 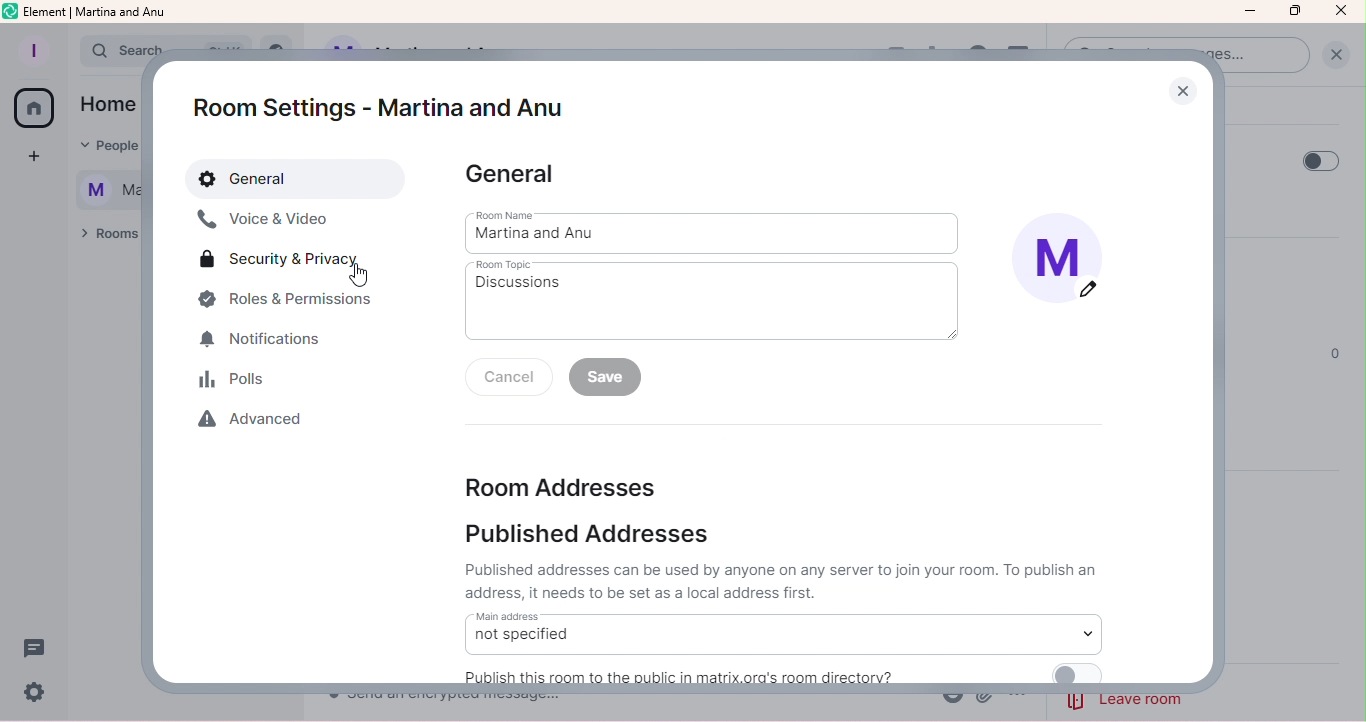 What do you see at coordinates (37, 644) in the screenshot?
I see `Threads` at bounding box center [37, 644].